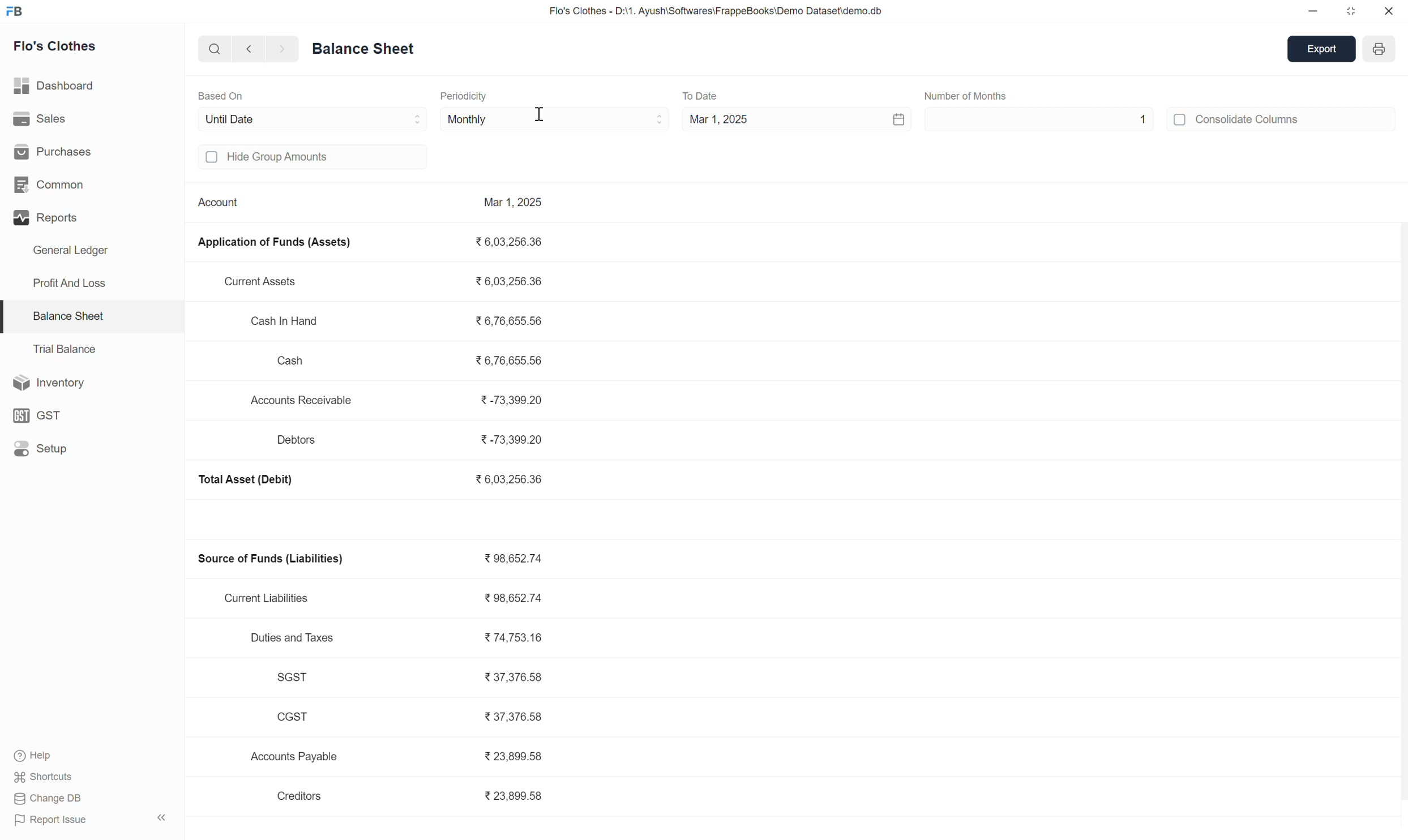 The width and height of the screenshot is (1408, 840). Describe the element at coordinates (62, 153) in the screenshot. I see `Purchases` at that location.